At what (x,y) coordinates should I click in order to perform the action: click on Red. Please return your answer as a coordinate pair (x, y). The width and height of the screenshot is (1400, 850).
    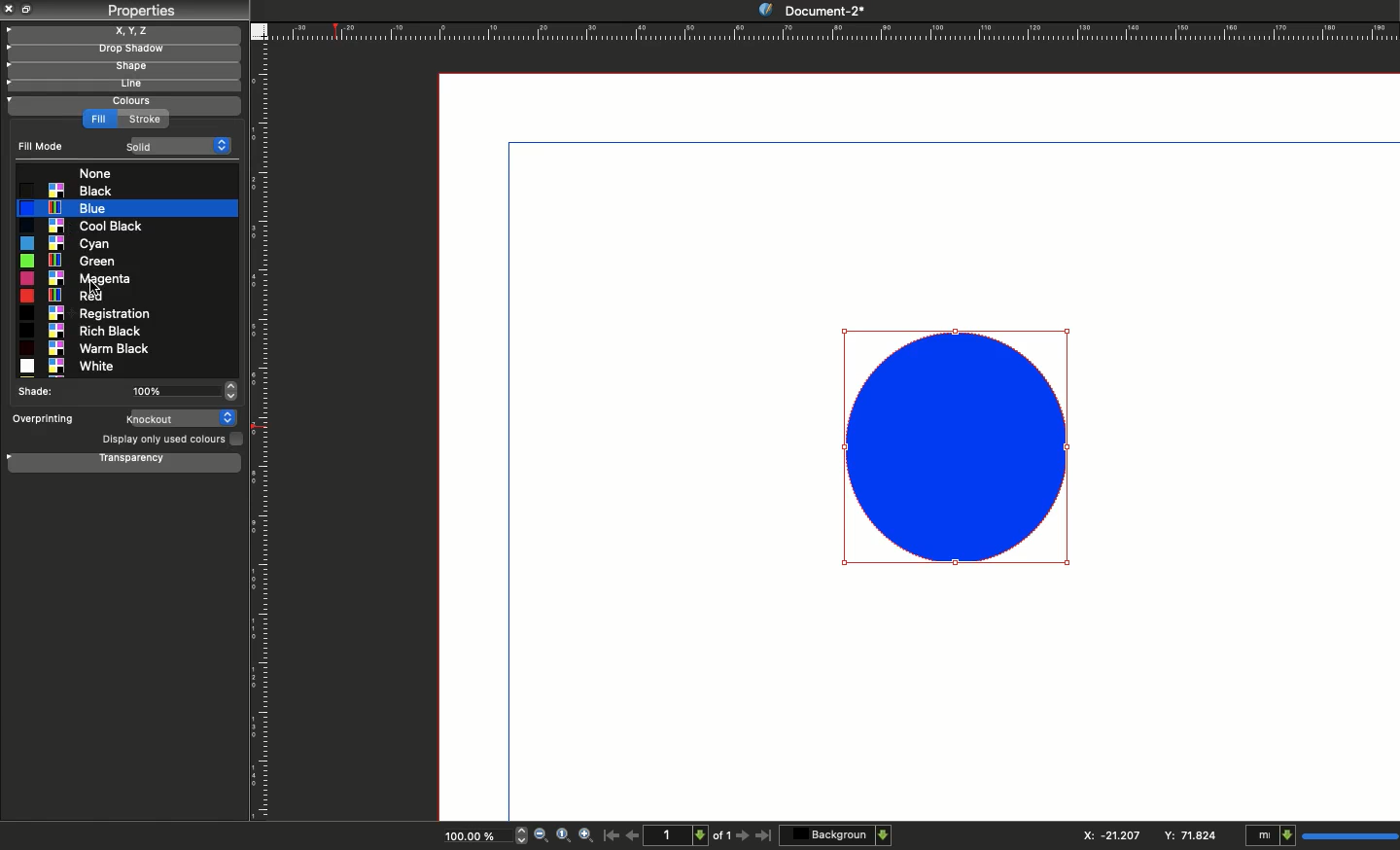
    Looking at the image, I should click on (61, 295).